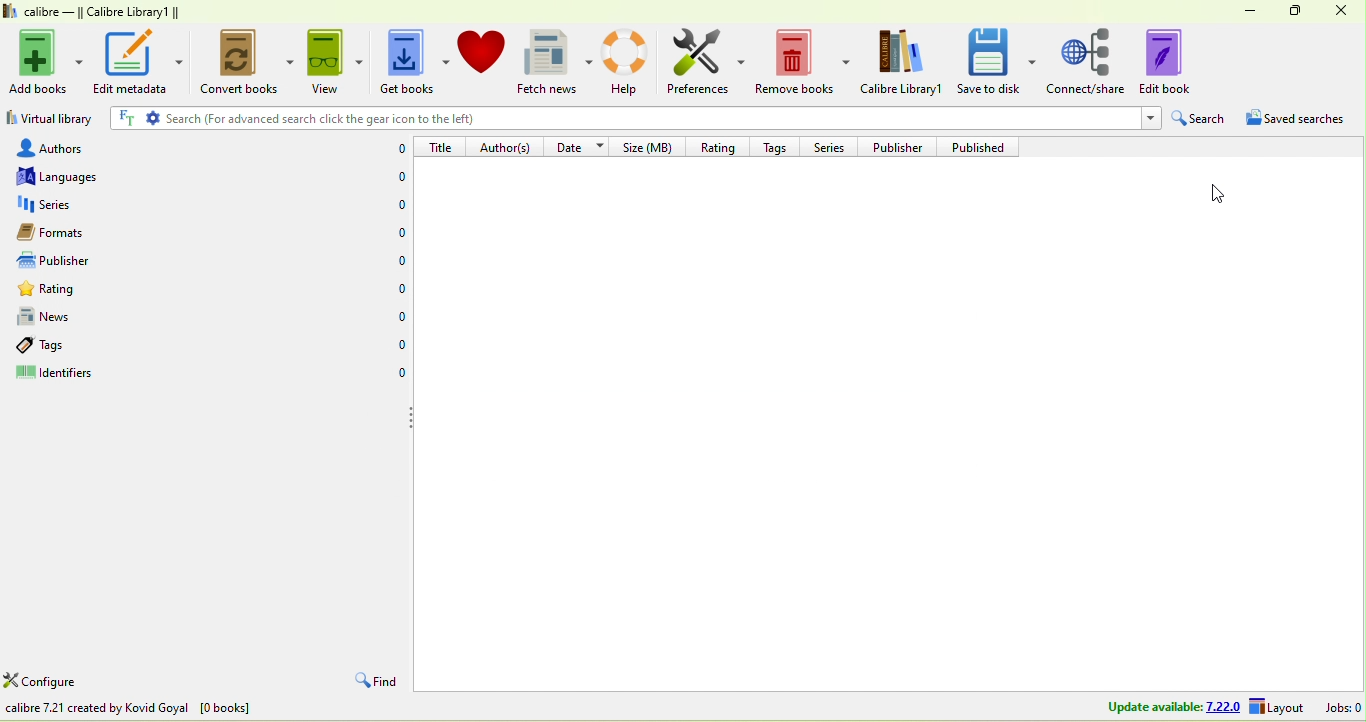 This screenshot has width=1366, height=722. I want to click on author(s), so click(508, 146).